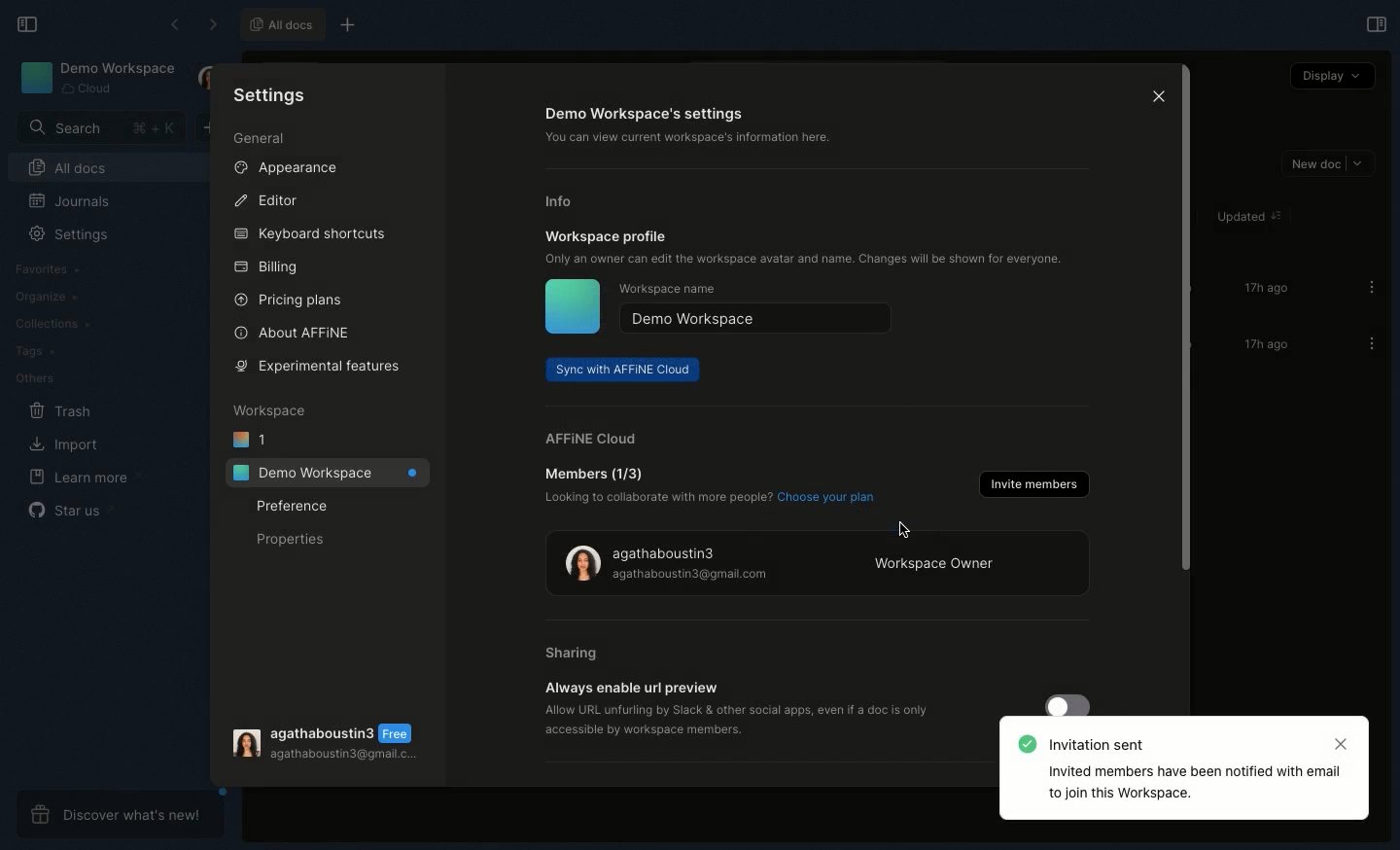  What do you see at coordinates (653, 497) in the screenshot?
I see `Looking to collaborate with more people?` at bounding box center [653, 497].